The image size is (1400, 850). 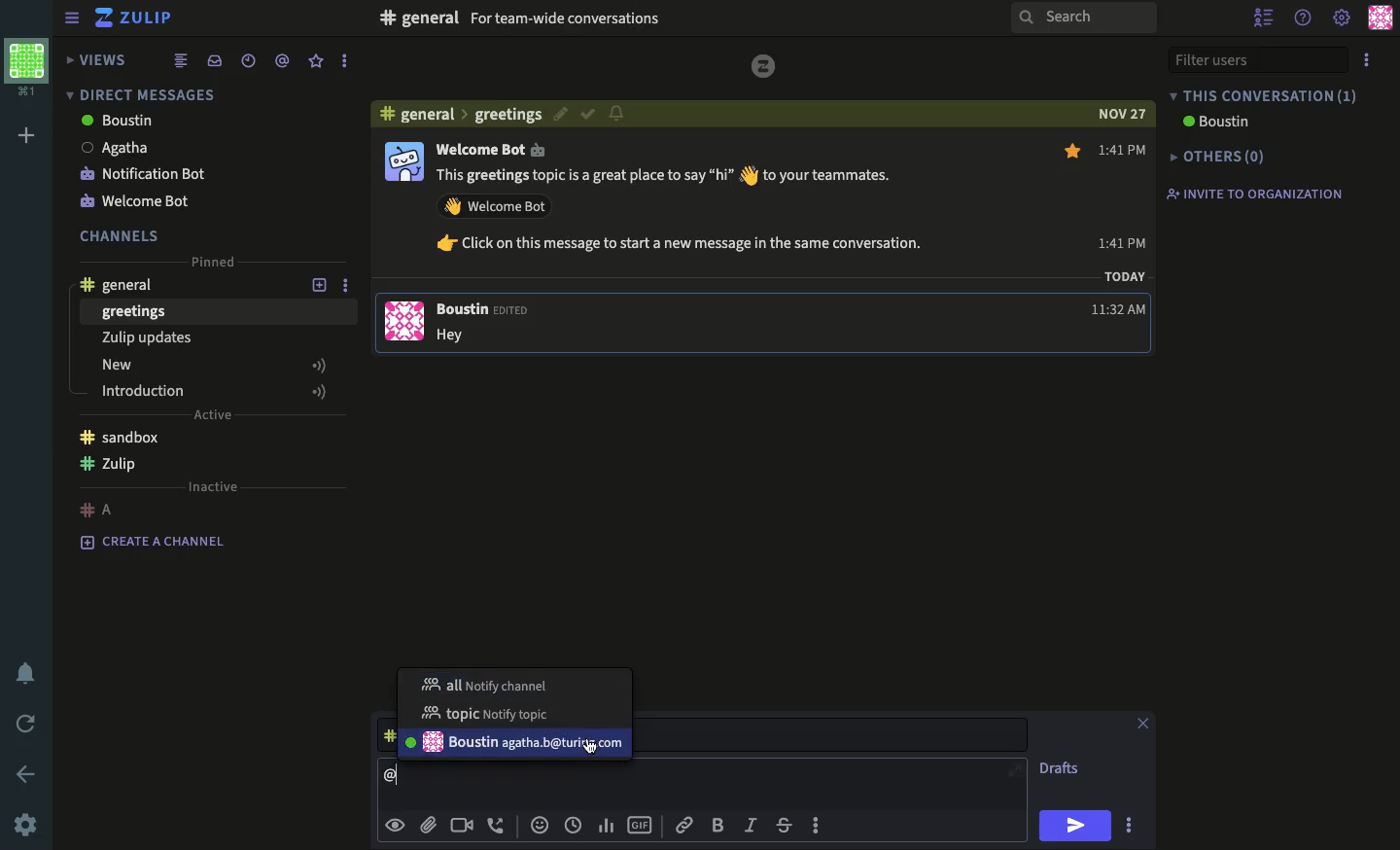 I want to click on inbox, so click(x=213, y=61).